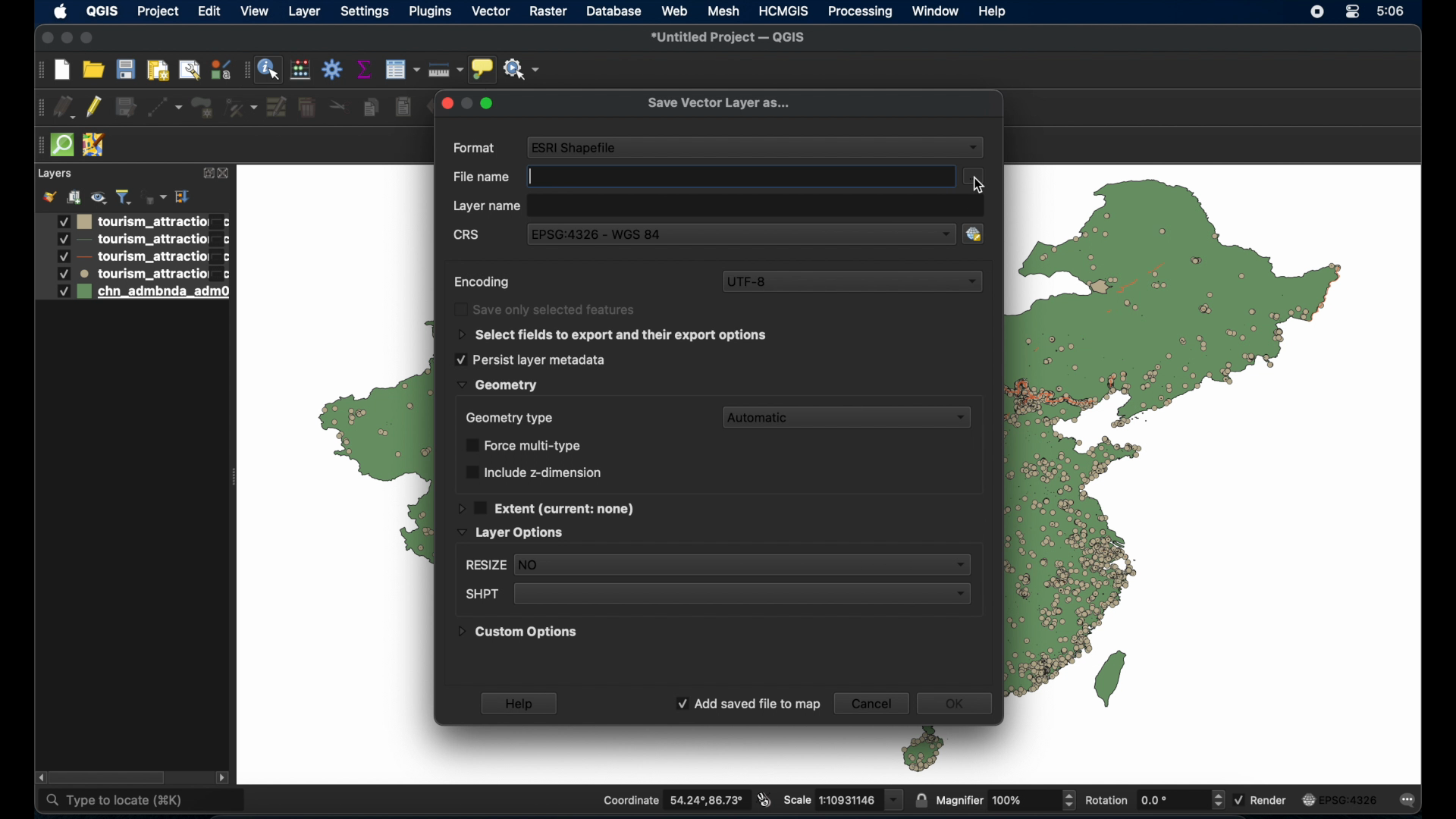 The width and height of the screenshot is (1456, 819). I want to click on dropdown, so click(974, 149).